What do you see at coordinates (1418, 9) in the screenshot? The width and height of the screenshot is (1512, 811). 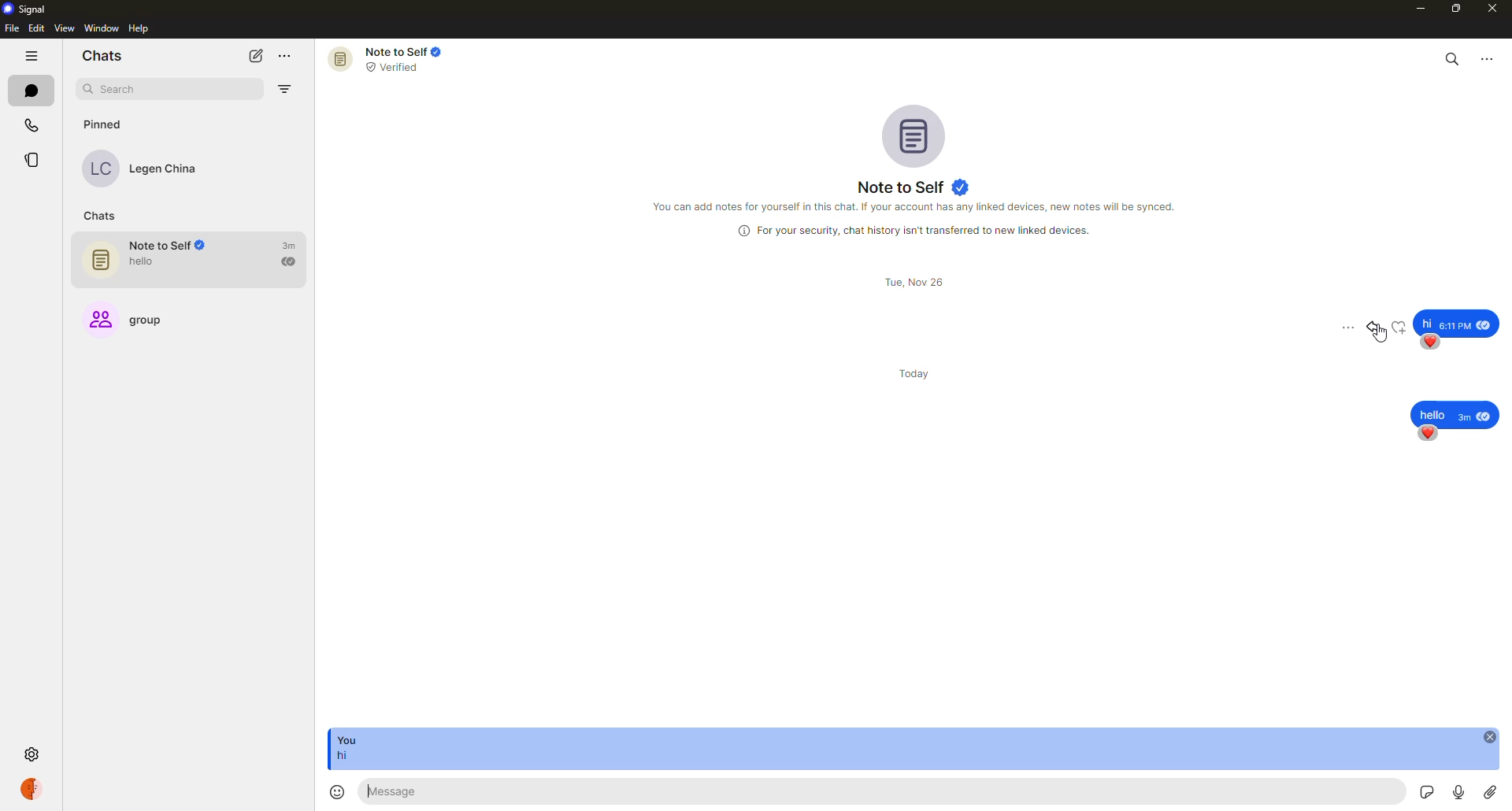 I see `minimize` at bounding box center [1418, 9].